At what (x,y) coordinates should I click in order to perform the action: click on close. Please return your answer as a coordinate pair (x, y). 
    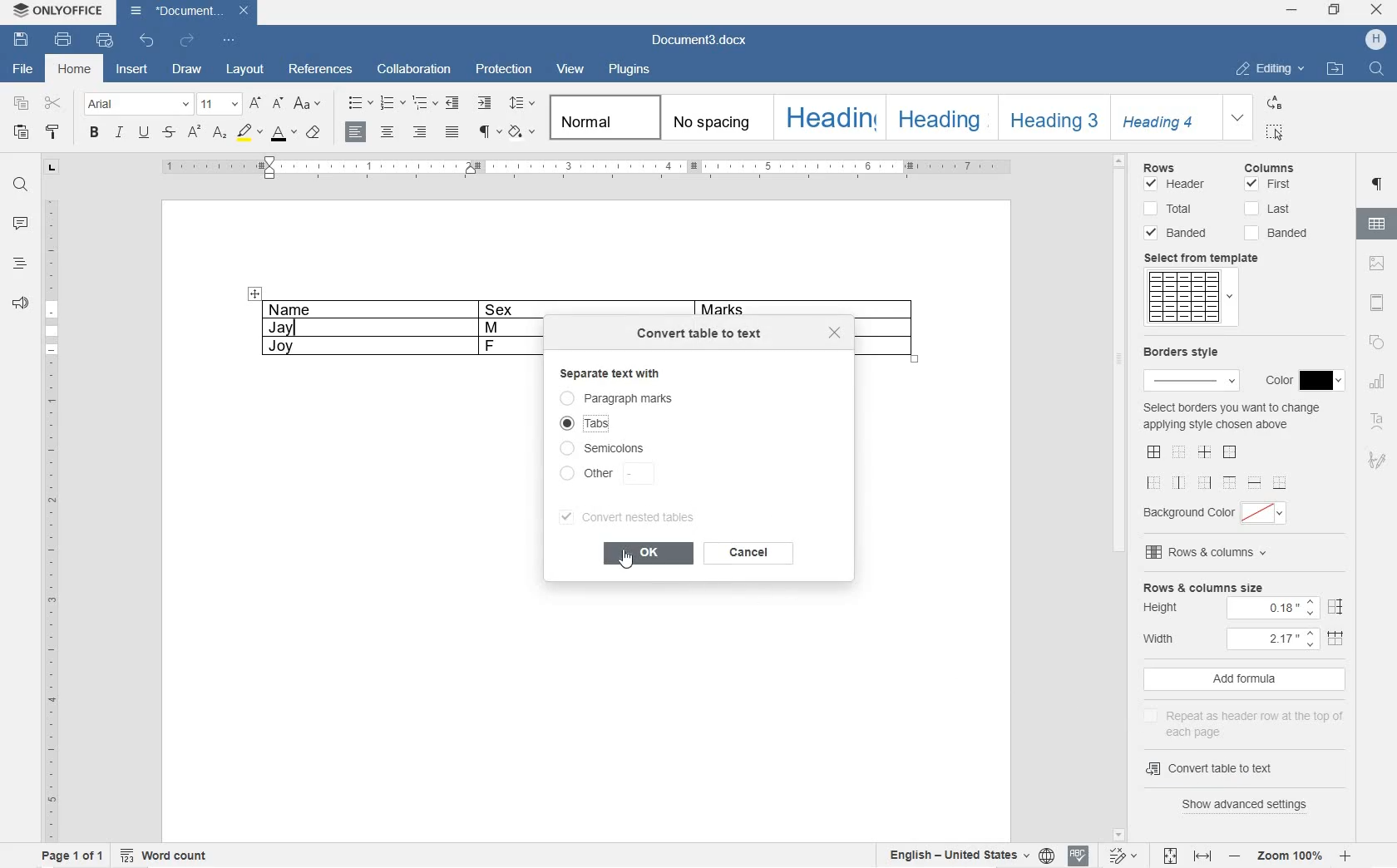
    Looking at the image, I should click on (838, 334).